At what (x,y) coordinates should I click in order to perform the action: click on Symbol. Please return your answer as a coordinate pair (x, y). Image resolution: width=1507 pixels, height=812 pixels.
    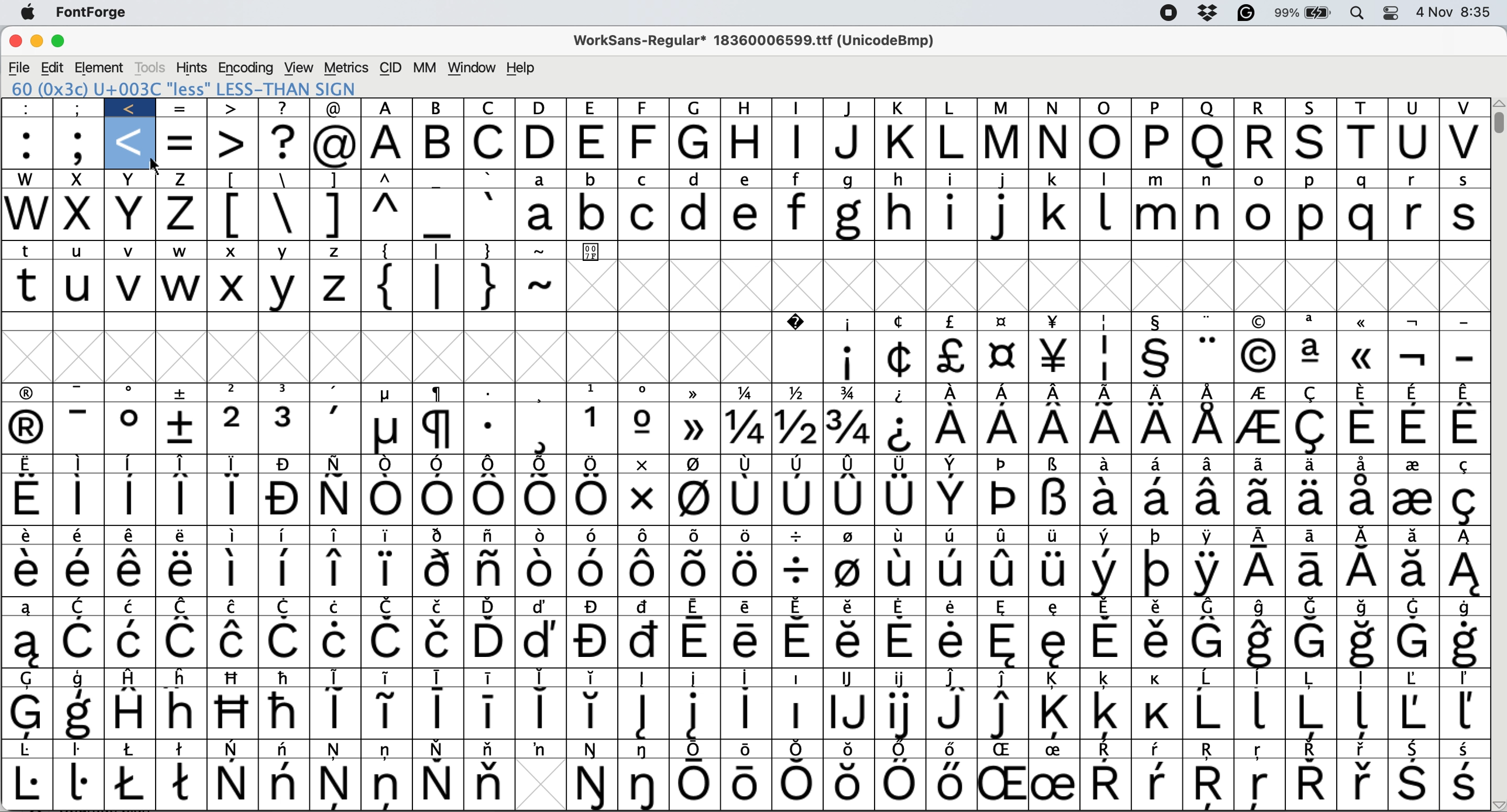
    Looking at the image, I should click on (491, 426).